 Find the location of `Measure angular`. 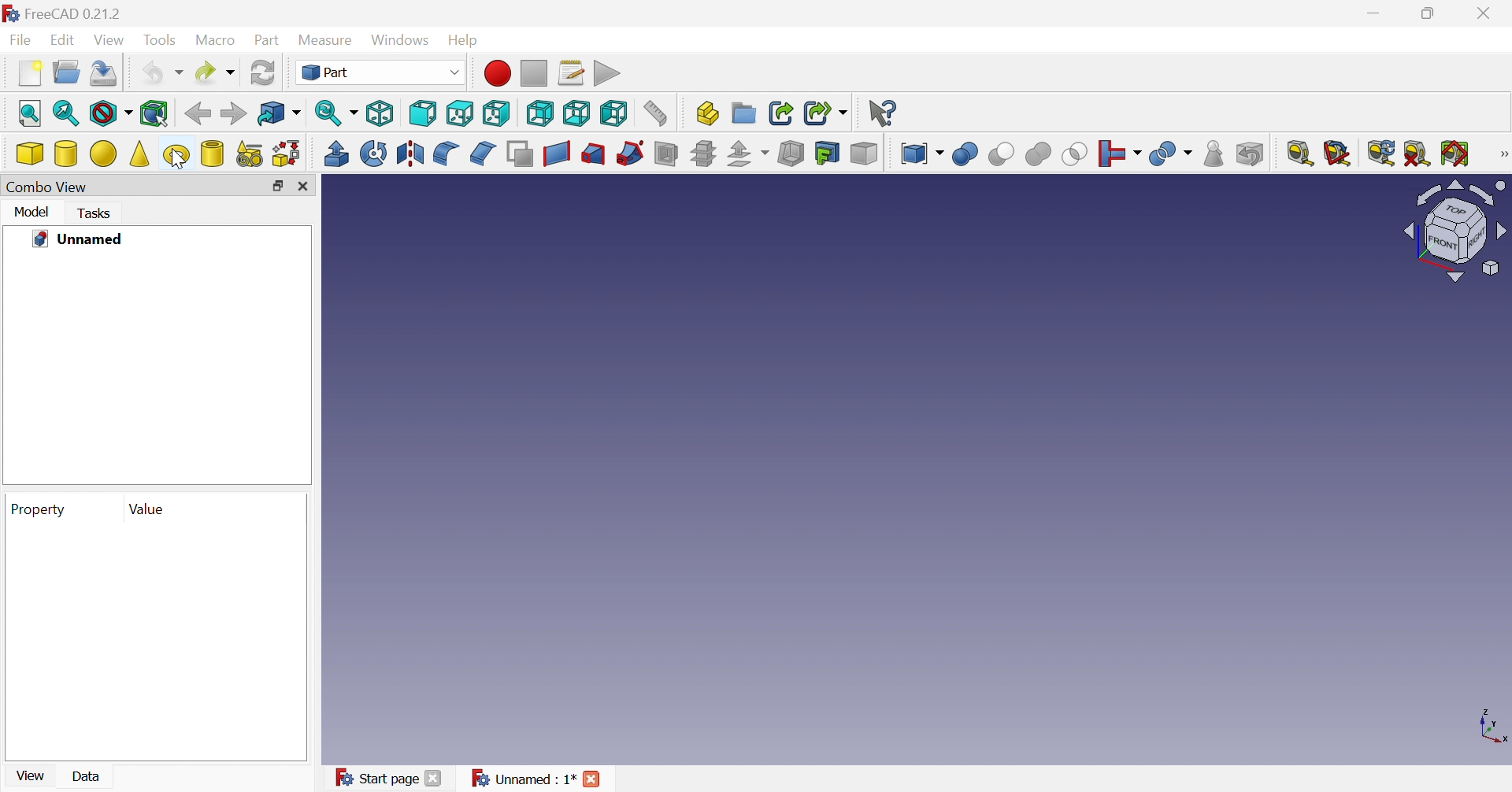

Measure angular is located at coordinates (1336, 155).